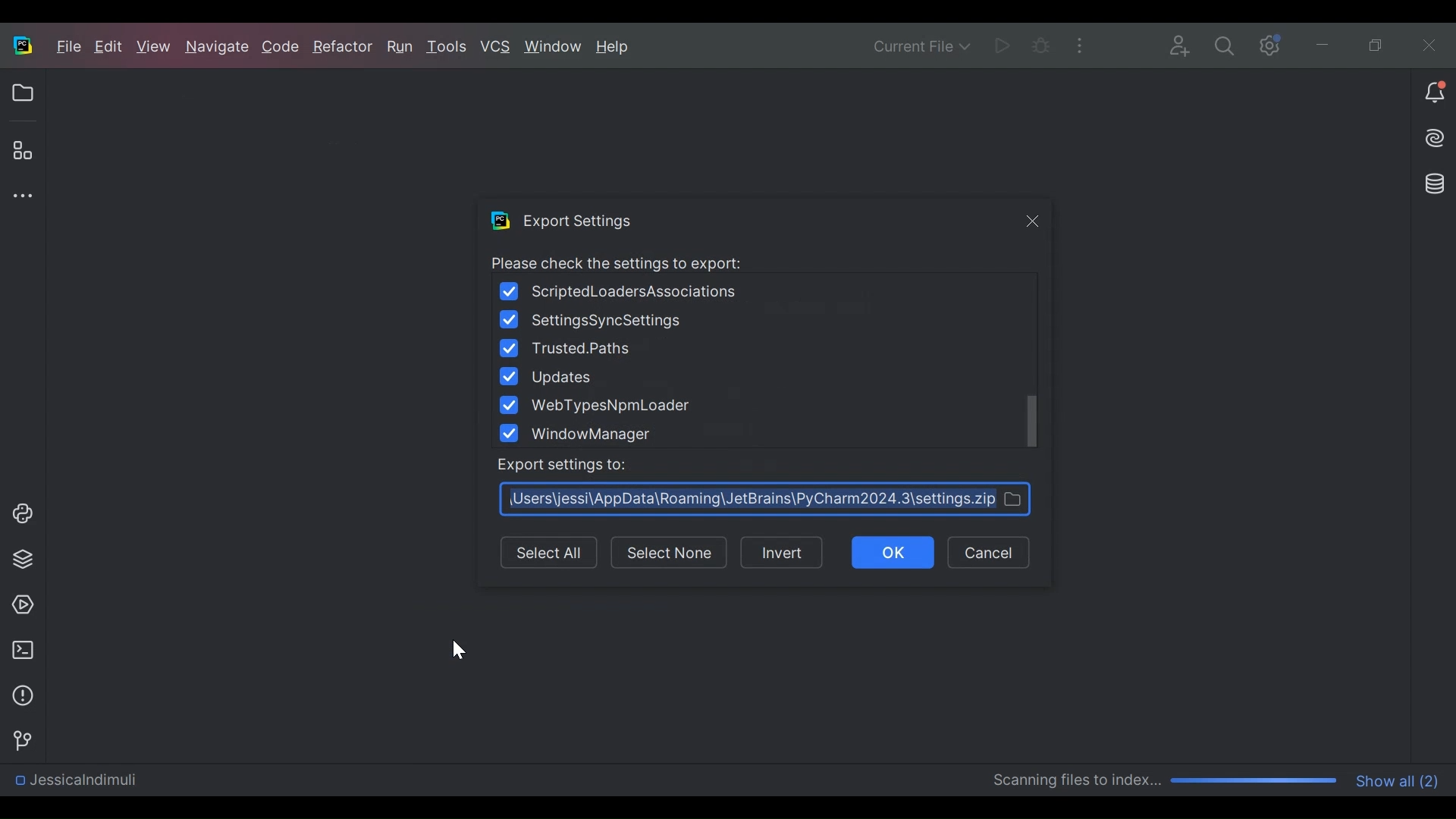 The image size is (1456, 819). What do you see at coordinates (561, 220) in the screenshot?
I see `Export Settings` at bounding box center [561, 220].